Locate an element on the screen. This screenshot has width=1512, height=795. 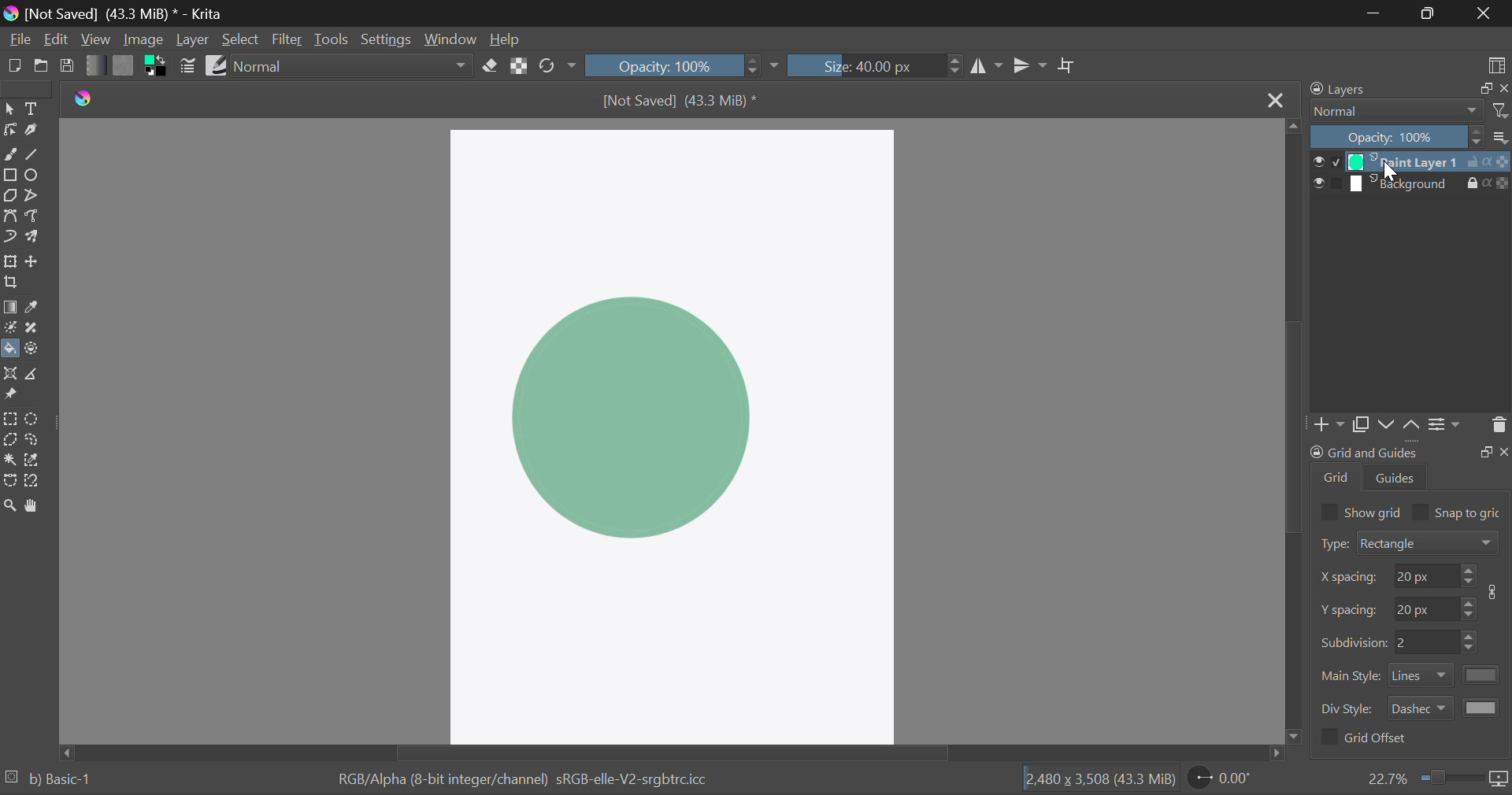
Reference Images is located at coordinates (9, 394).